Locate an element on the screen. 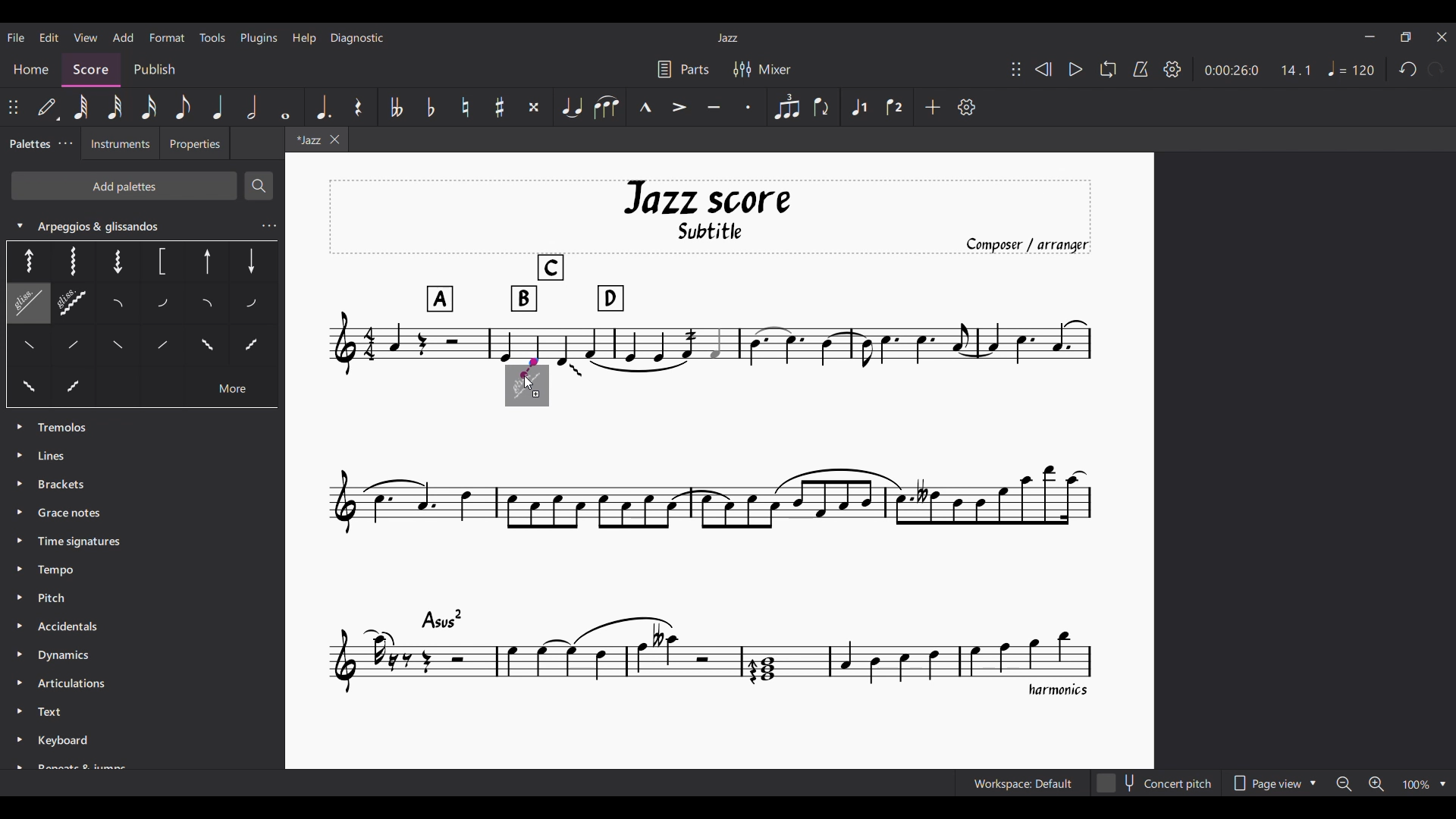  Text is located at coordinates (55, 713).